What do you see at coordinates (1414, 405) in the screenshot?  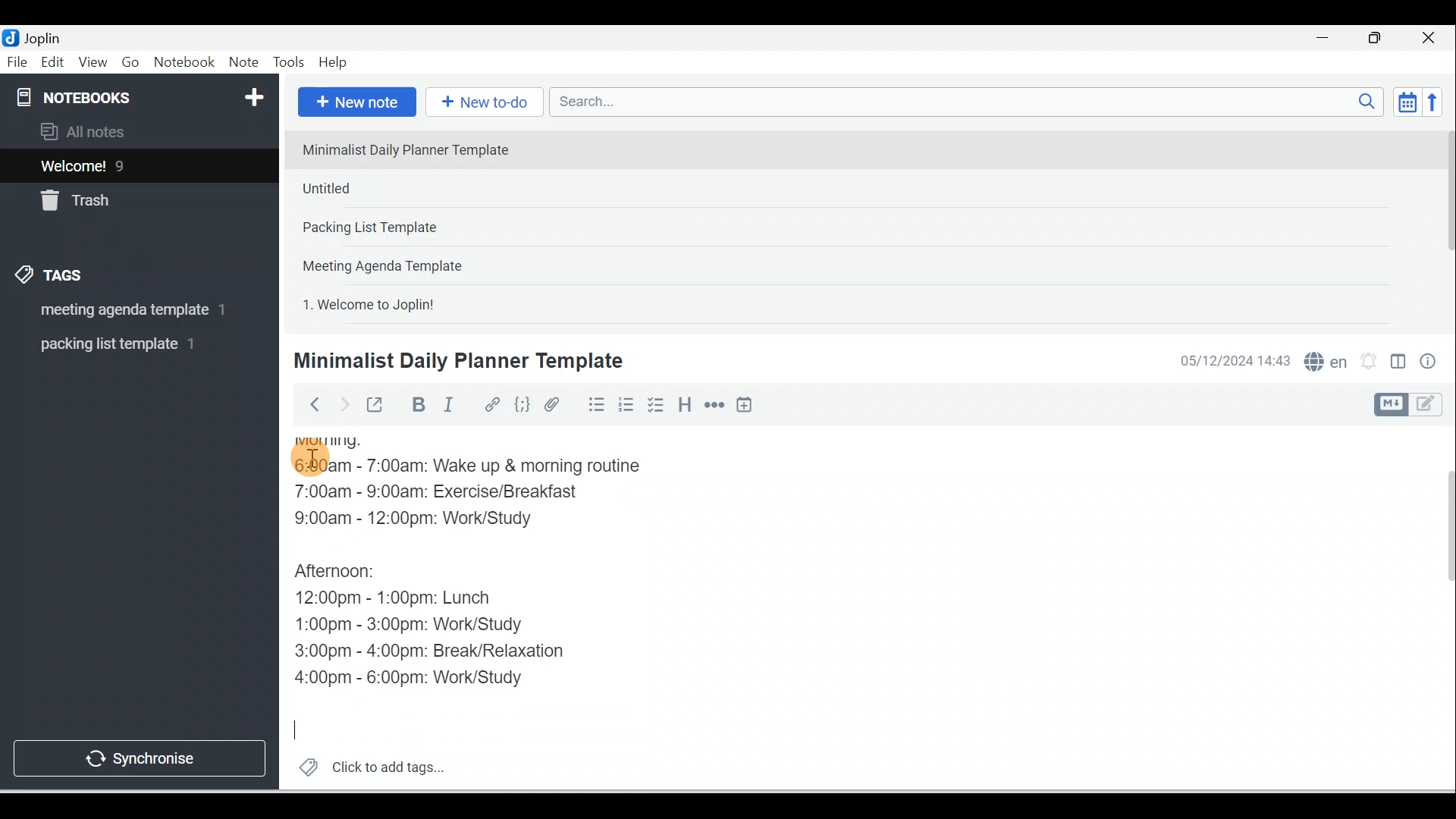 I see `Toggle editor layout` at bounding box center [1414, 405].